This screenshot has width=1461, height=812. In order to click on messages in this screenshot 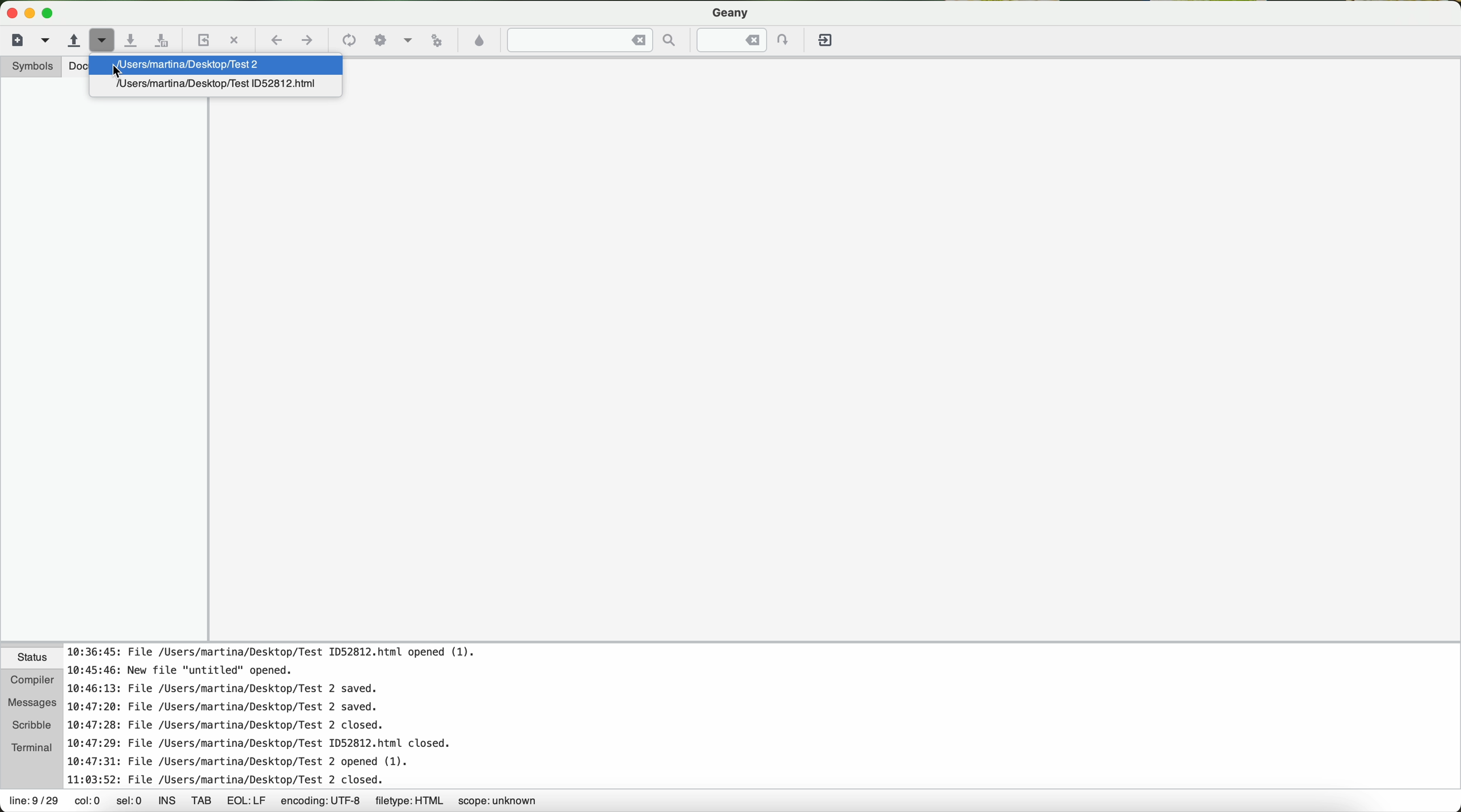, I will do `click(32, 702)`.